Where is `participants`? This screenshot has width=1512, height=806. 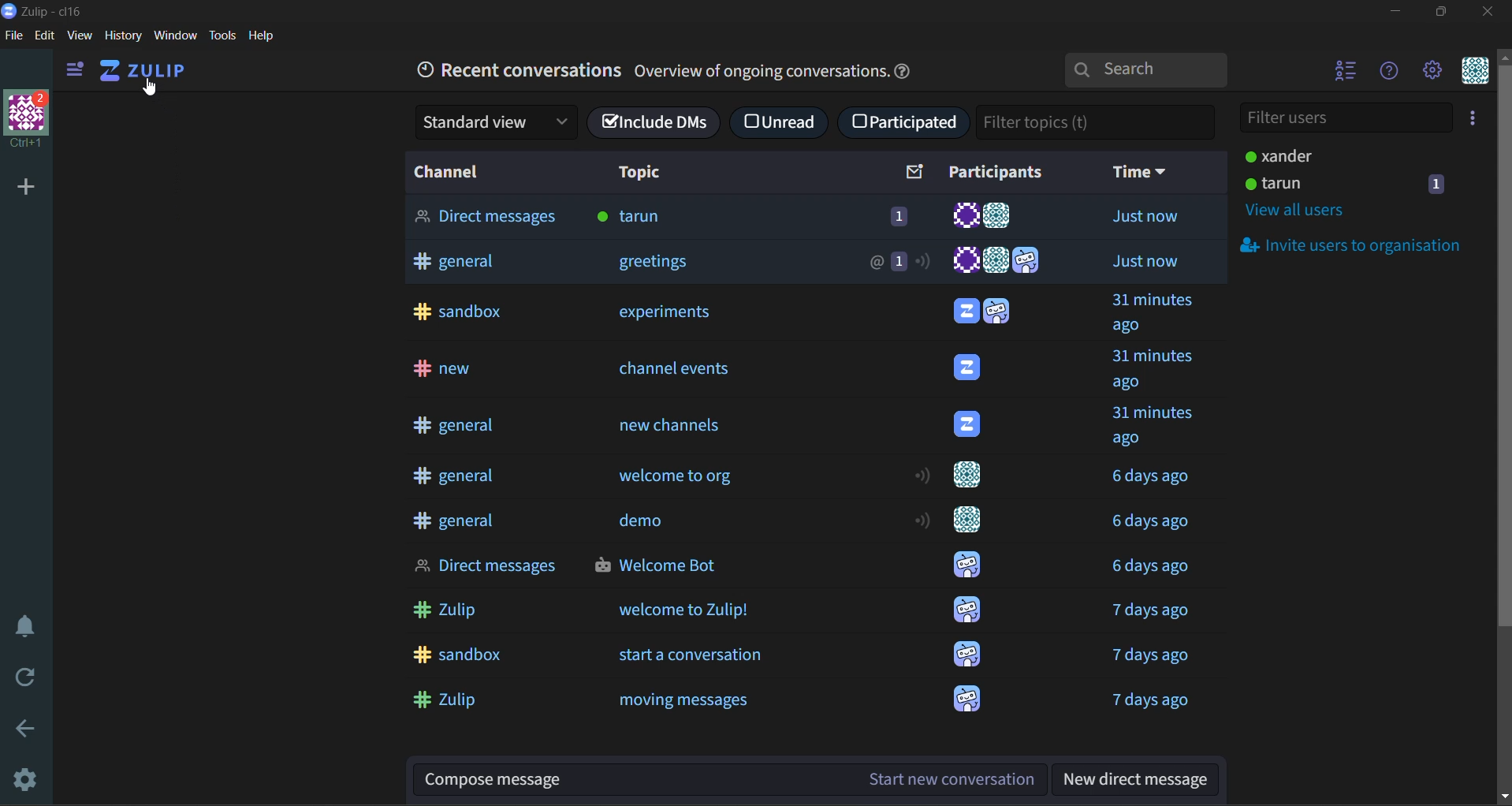 participants is located at coordinates (1001, 173).